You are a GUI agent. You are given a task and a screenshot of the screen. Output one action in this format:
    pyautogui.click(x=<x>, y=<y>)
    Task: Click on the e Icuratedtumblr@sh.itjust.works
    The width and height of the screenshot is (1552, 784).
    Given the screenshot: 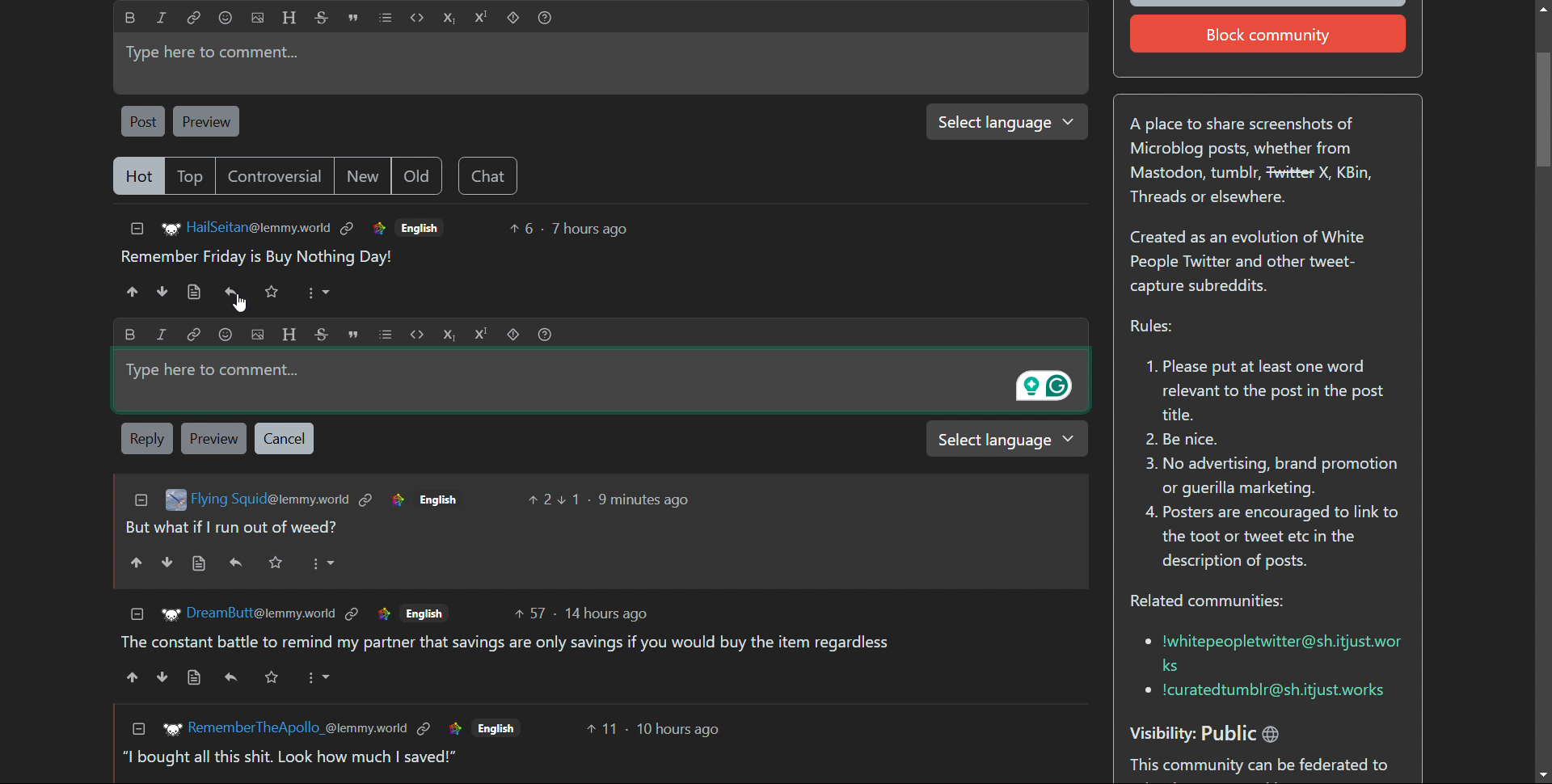 What is the action you would take?
    pyautogui.click(x=1270, y=692)
    